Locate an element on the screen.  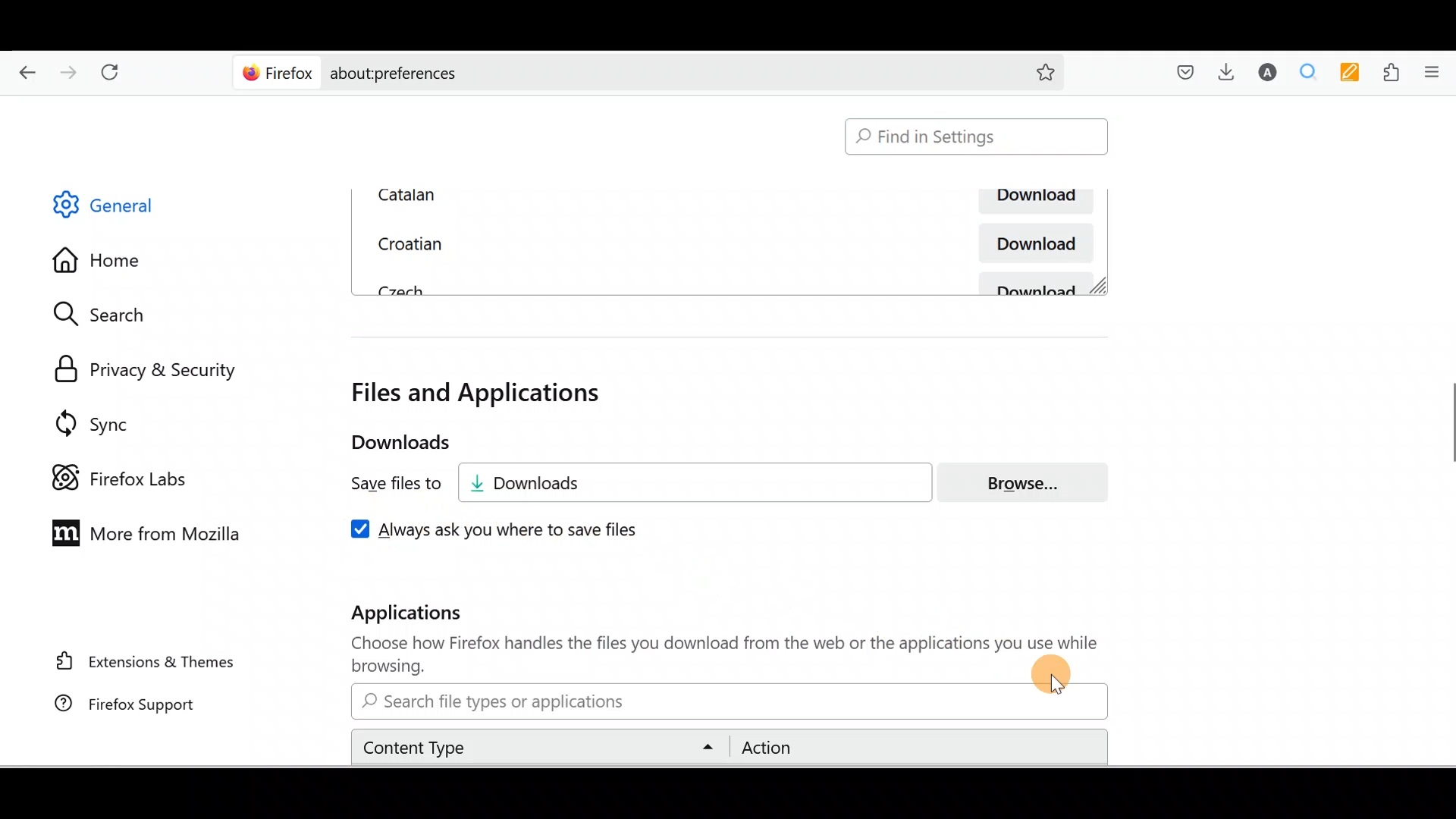
Download is located at coordinates (1032, 202).